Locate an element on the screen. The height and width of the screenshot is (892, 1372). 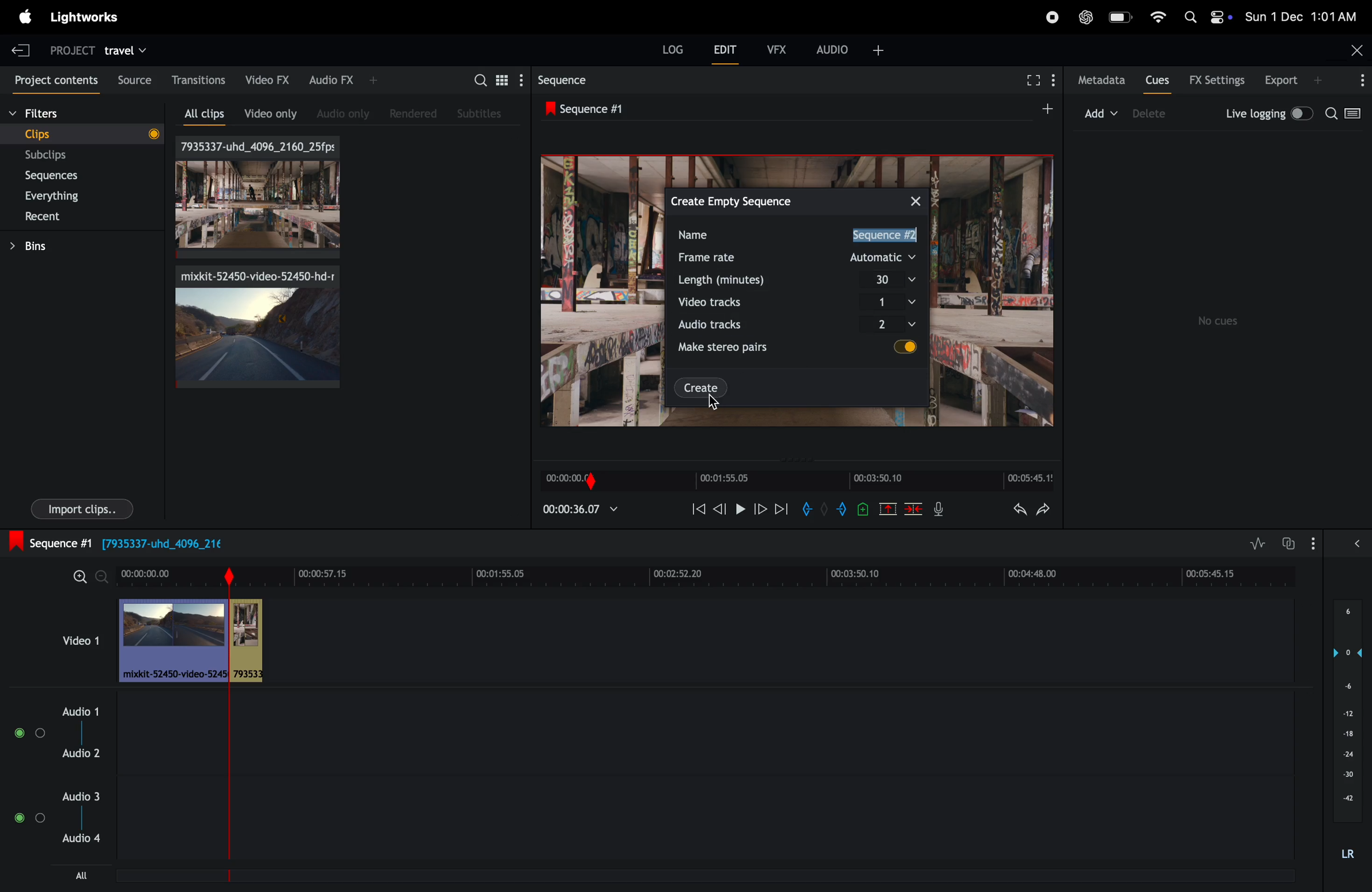
LOG is located at coordinates (673, 50).